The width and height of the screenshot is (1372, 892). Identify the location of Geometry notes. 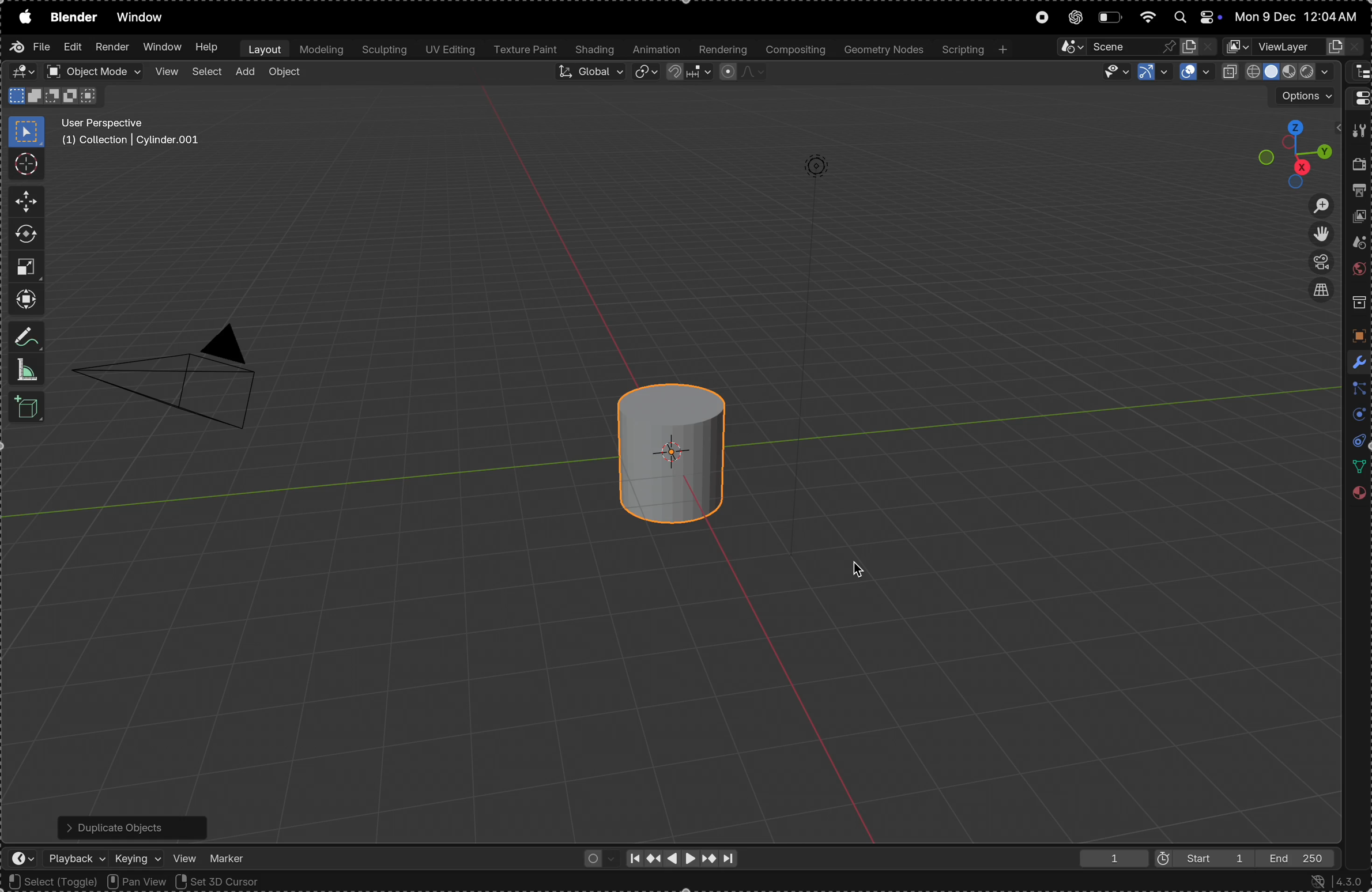
(882, 49).